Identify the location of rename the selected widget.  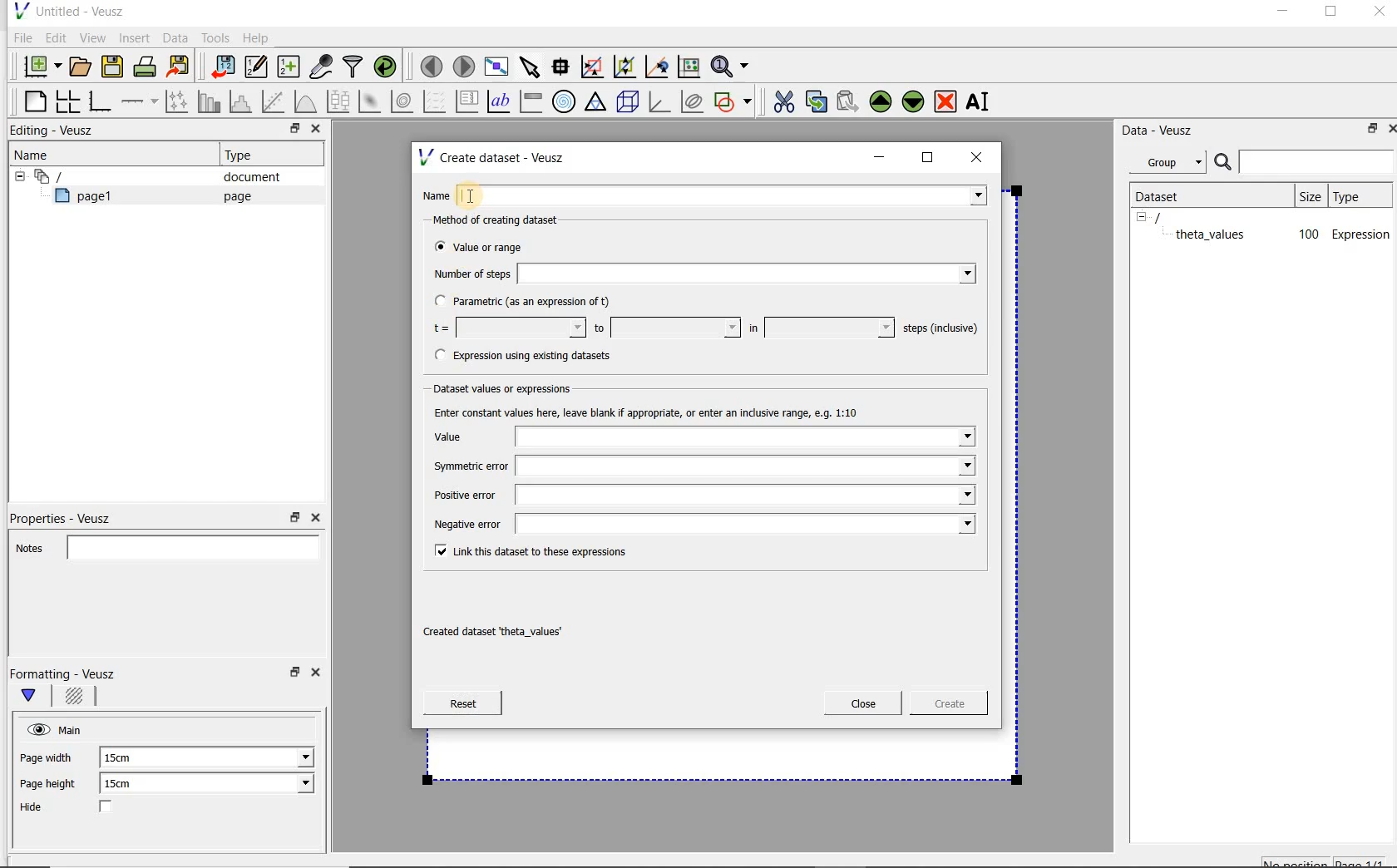
(981, 101).